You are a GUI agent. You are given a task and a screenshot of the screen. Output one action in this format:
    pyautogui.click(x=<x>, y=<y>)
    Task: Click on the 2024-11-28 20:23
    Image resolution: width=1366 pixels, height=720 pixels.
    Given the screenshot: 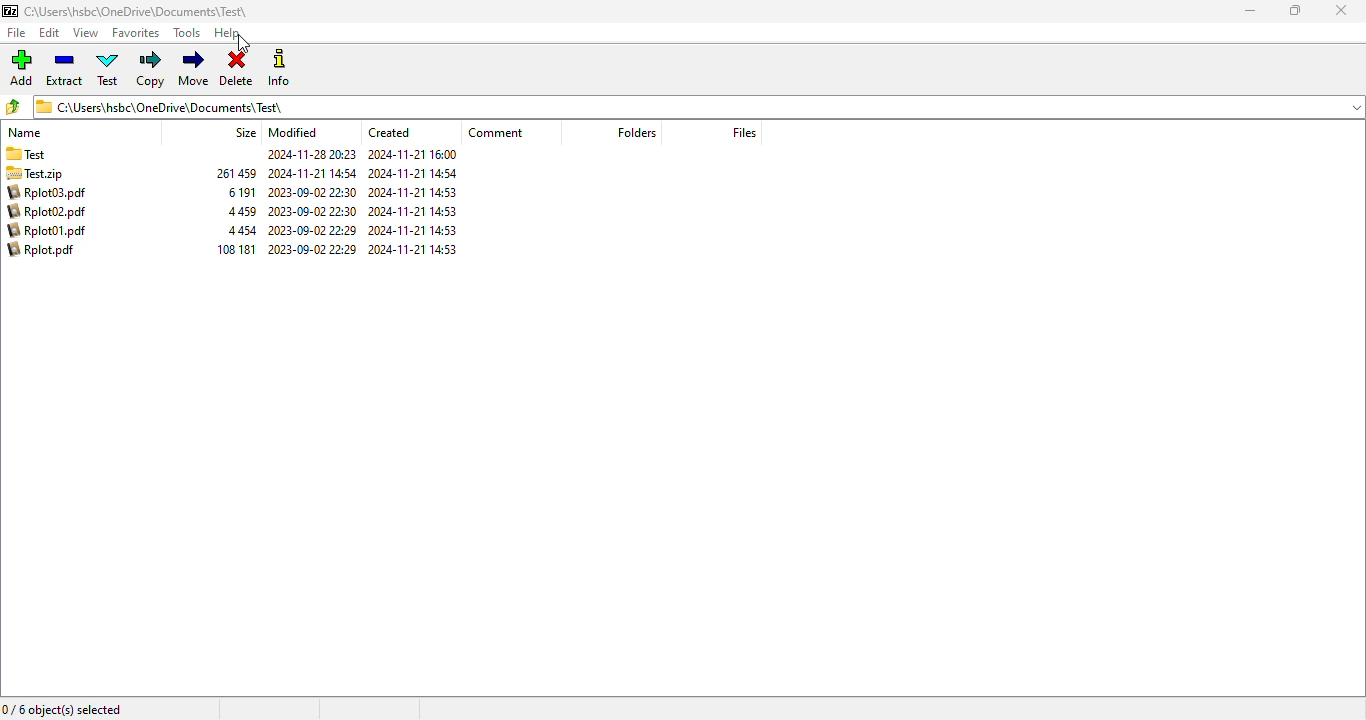 What is the action you would take?
    pyautogui.click(x=308, y=156)
    